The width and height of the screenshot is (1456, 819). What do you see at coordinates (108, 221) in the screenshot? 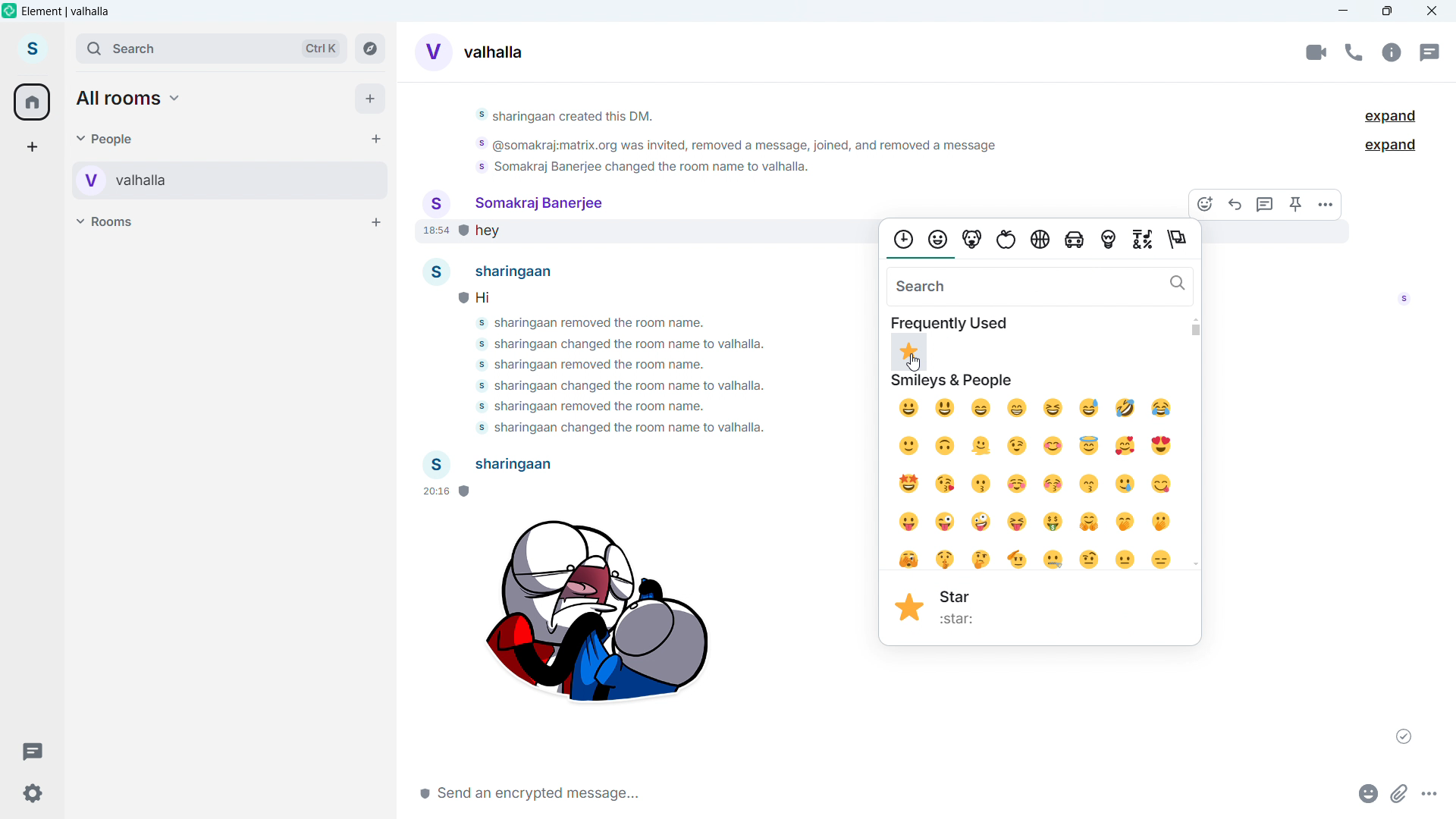
I see `Rooms ` at bounding box center [108, 221].